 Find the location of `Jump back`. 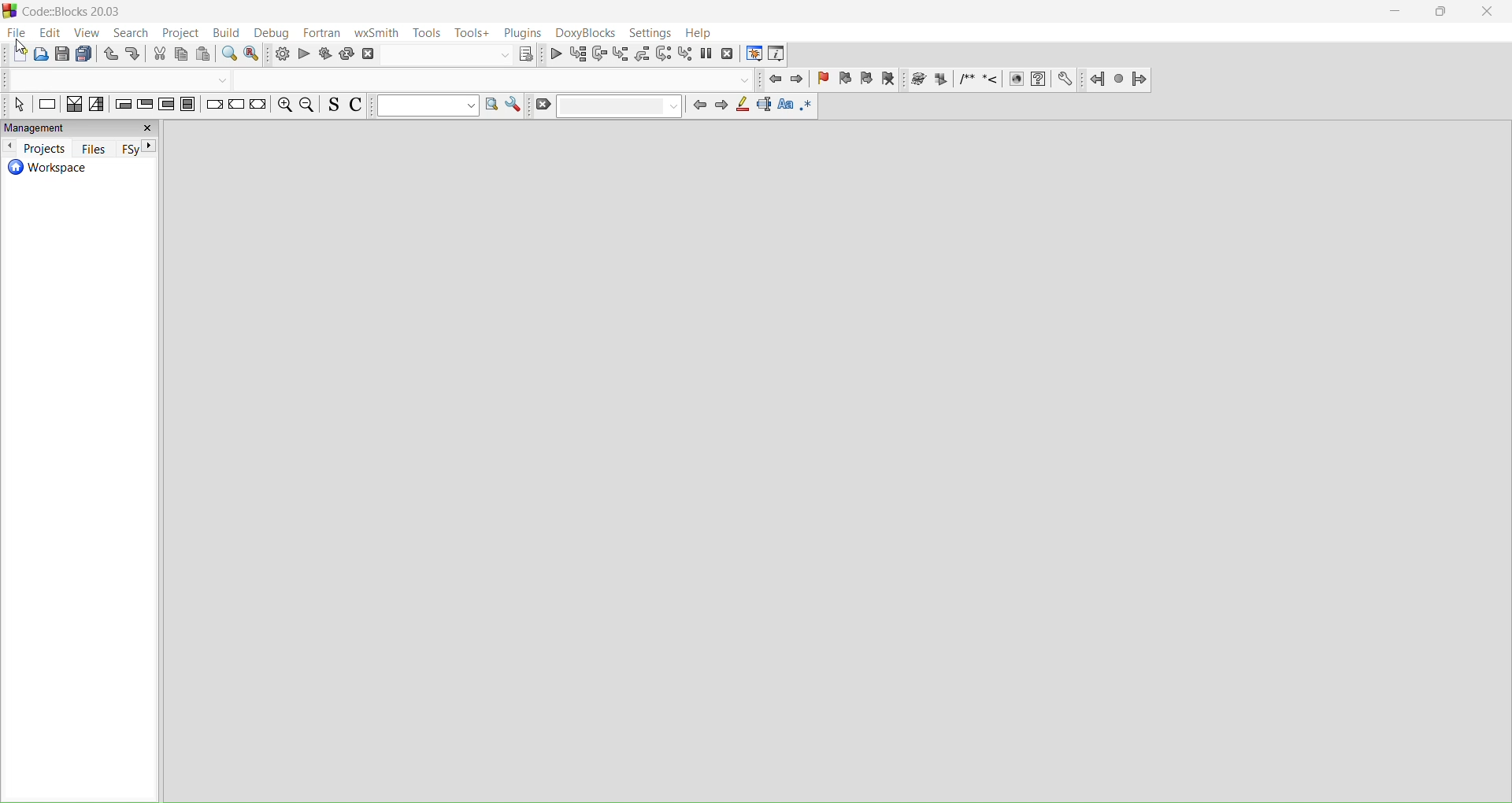

Jump back is located at coordinates (1097, 78).